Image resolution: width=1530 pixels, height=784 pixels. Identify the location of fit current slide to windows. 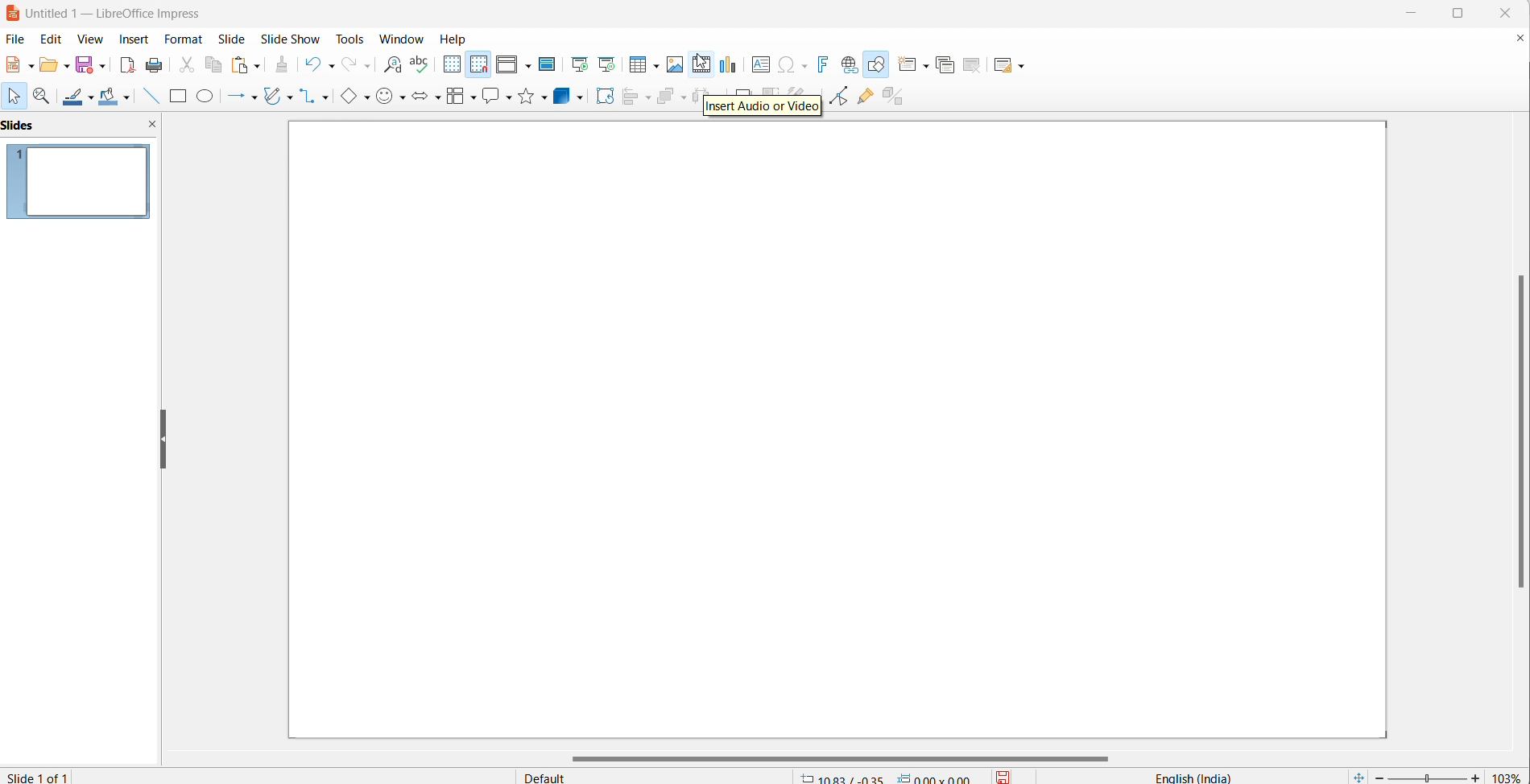
(1357, 776).